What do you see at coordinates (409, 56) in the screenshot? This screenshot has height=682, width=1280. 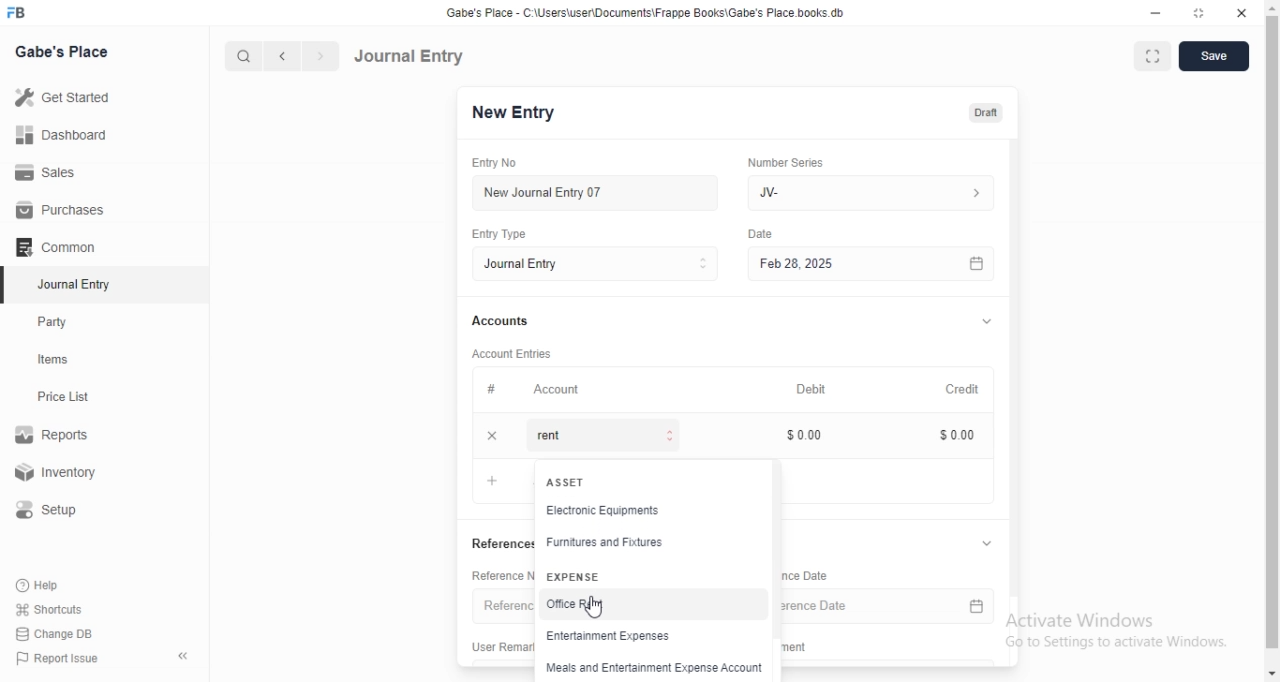 I see `Journal Entry` at bounding box center [409, 56].